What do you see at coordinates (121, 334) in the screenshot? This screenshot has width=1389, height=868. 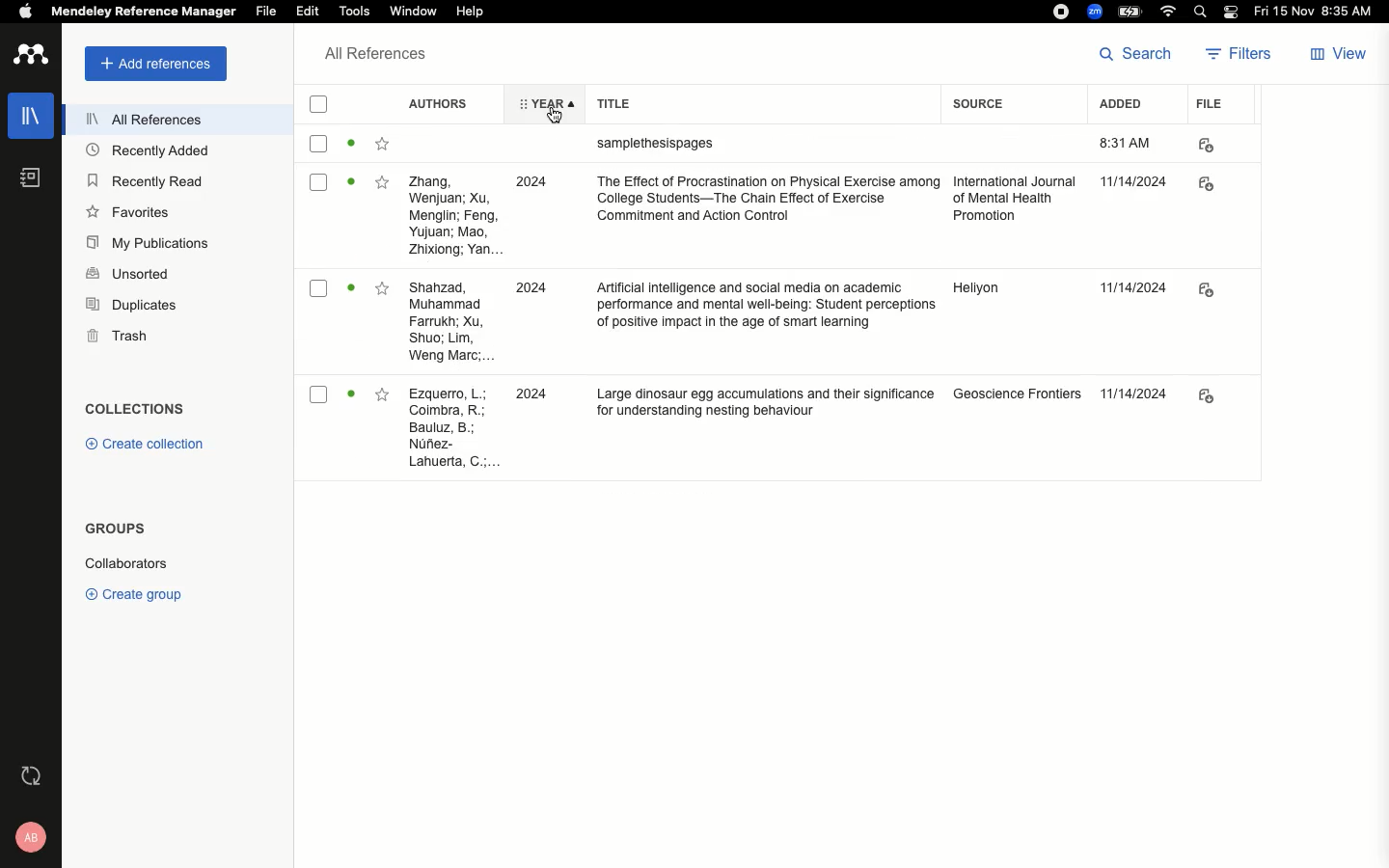 I see `Trash` at bounding box center [121, 334].